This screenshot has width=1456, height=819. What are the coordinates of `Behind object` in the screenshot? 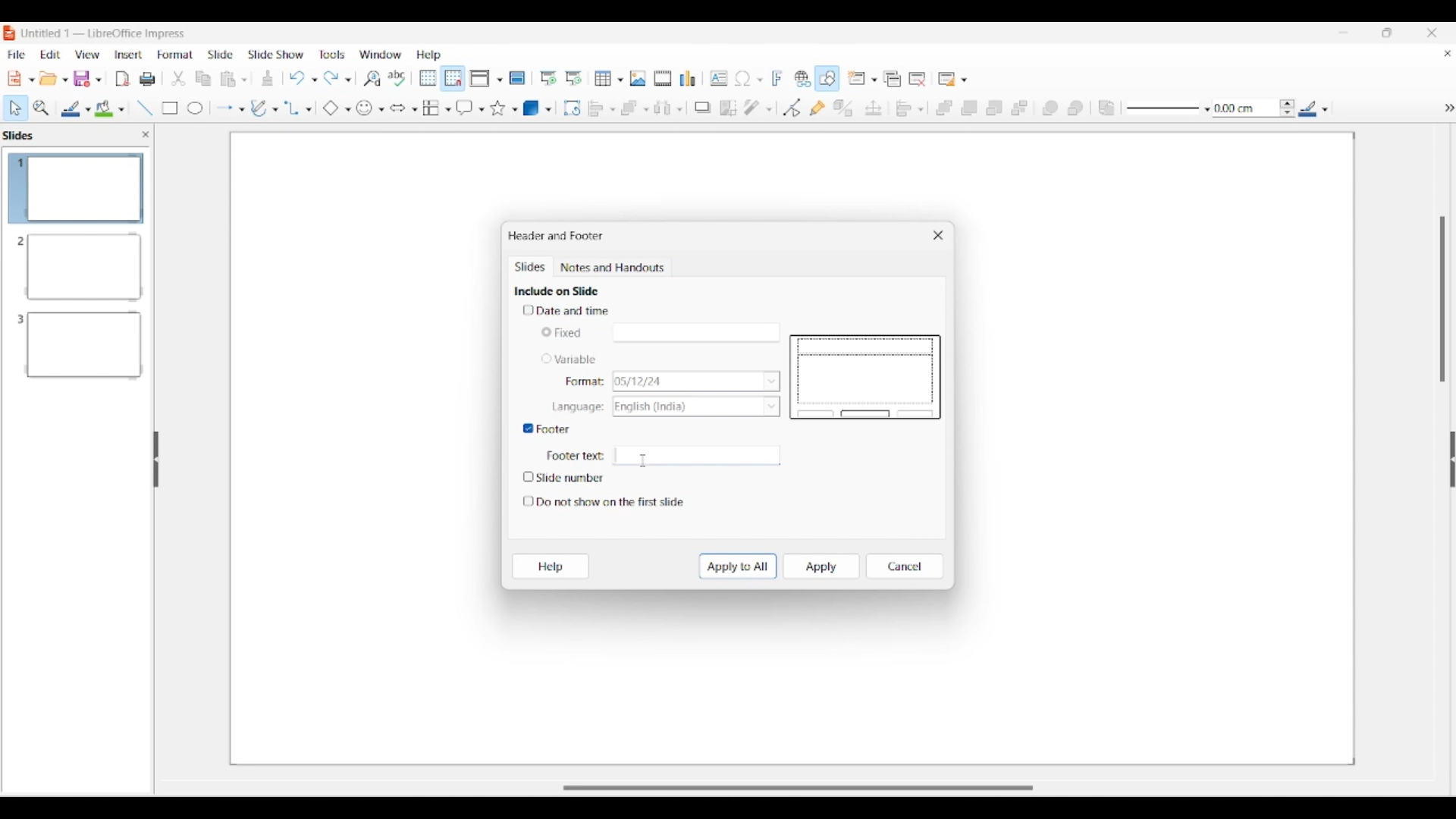 It's located at (1075, 108).